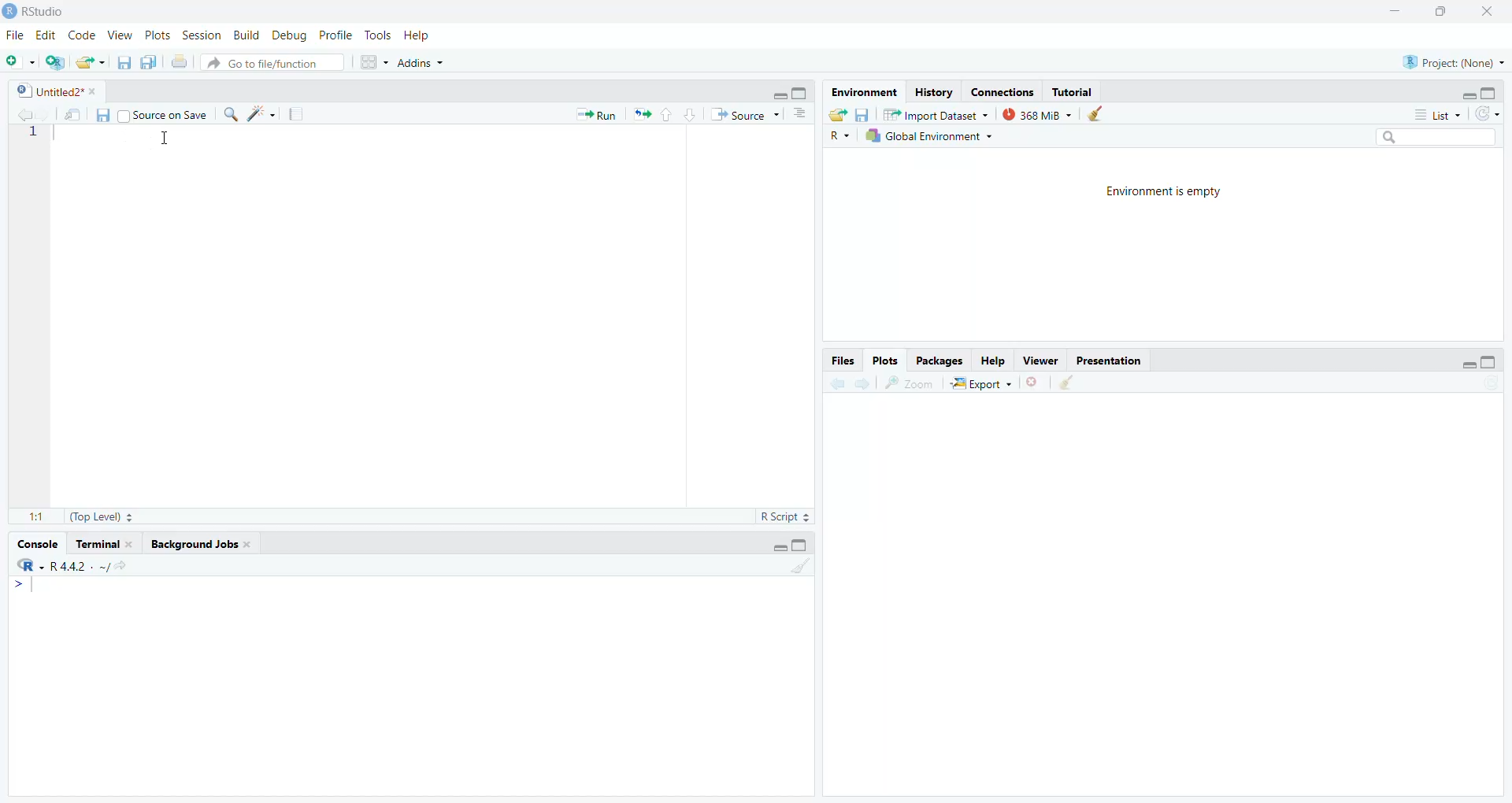 Image resolution: width=1512 pixels, height=803 pixels. I want to click on save, so click(106, 116).